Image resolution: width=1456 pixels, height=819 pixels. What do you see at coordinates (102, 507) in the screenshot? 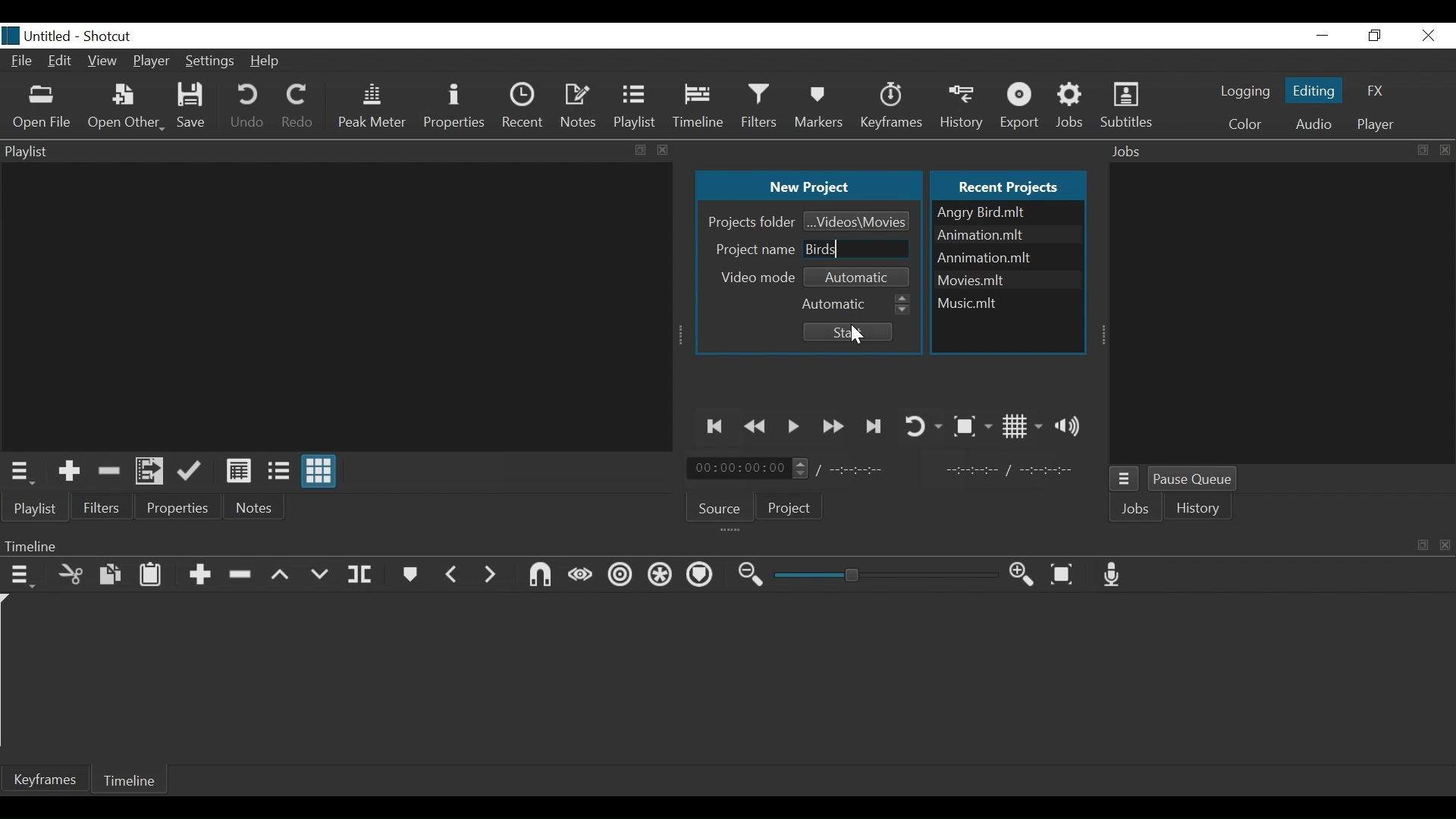
I see `Filters` at bounding box center [102, 507].